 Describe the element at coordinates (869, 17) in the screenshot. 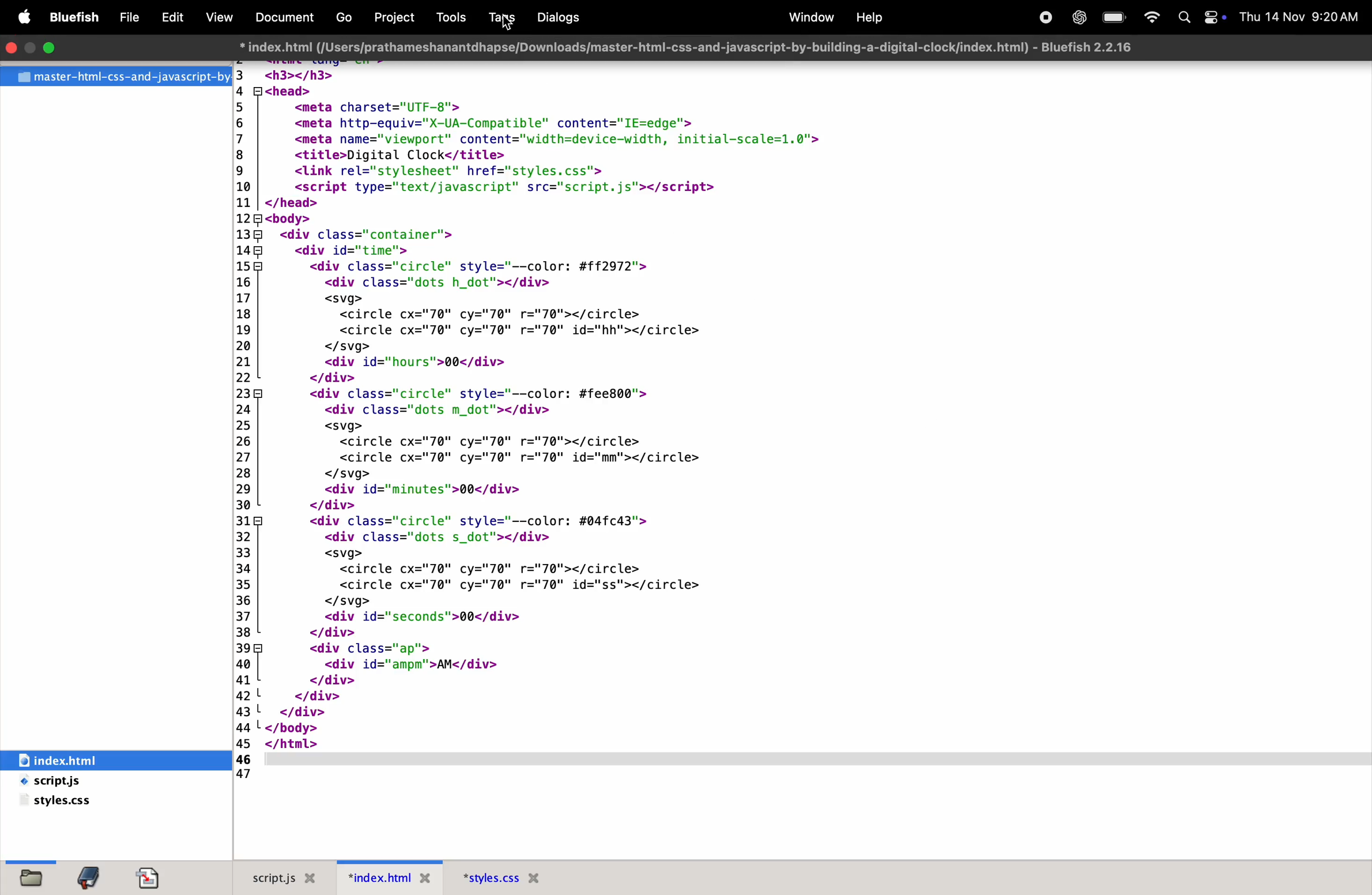

I see `help` at that location.